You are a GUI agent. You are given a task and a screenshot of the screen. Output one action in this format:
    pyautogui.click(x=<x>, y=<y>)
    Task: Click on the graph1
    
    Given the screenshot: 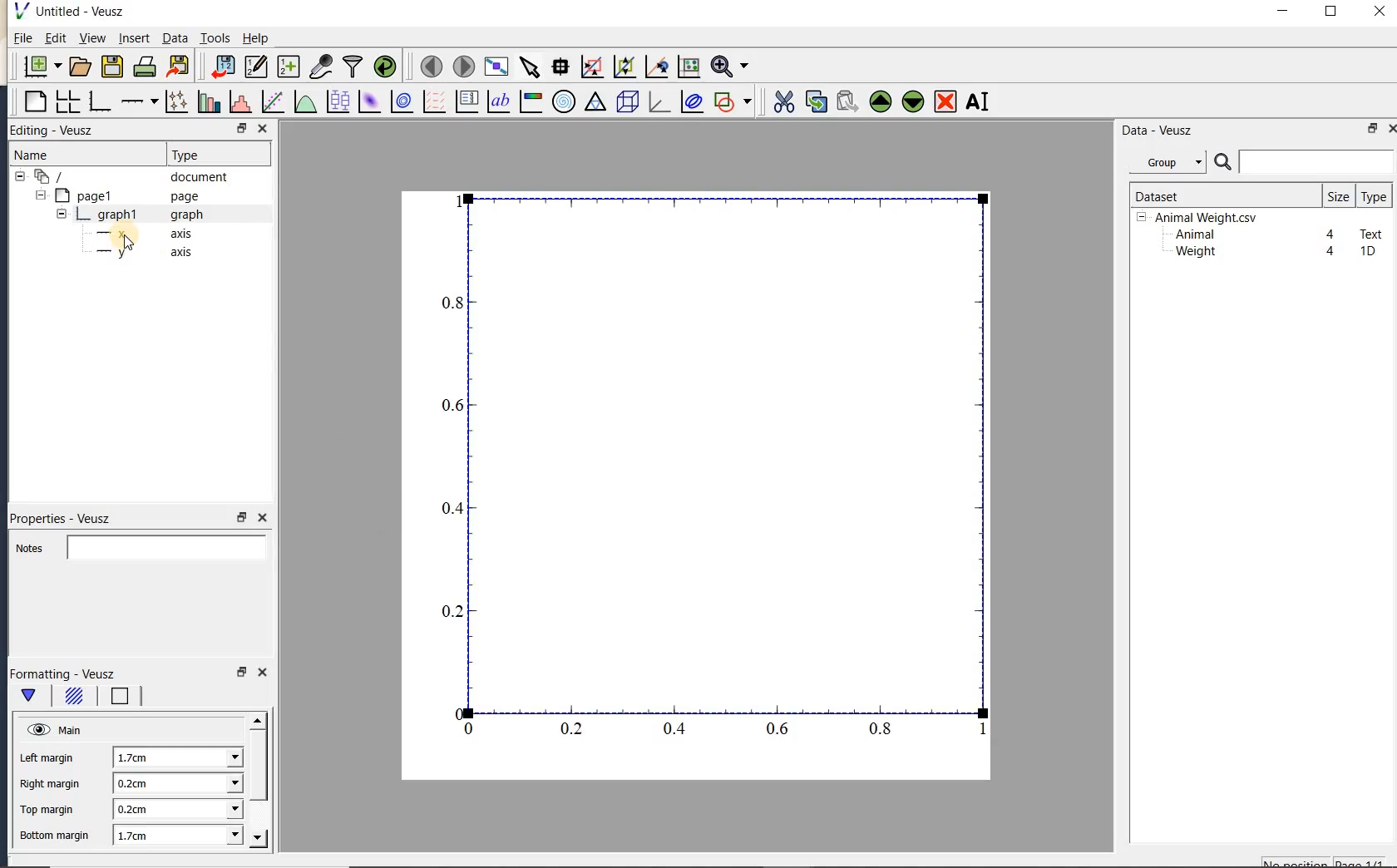 What is the action you would take?
    pyautogui.click(x=122, y=216)
    